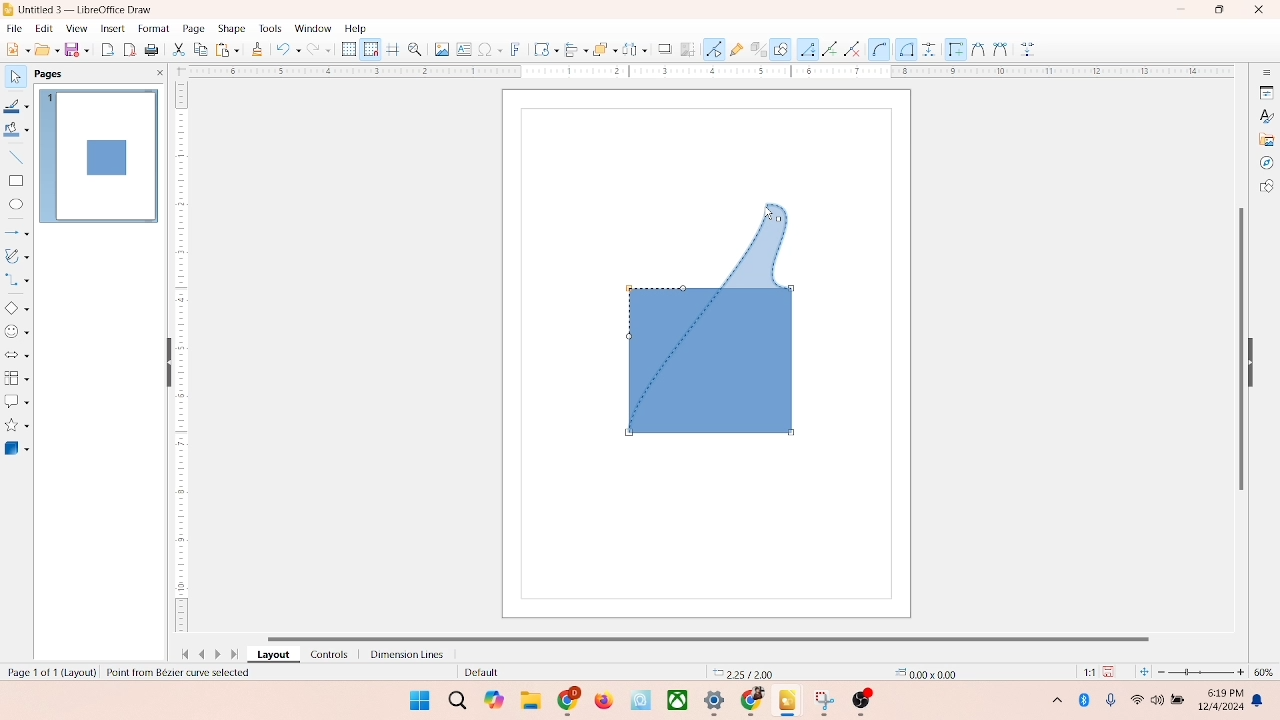 This screenshot has height=720, width=1280. I want to click on properties, so click(1265, 91).